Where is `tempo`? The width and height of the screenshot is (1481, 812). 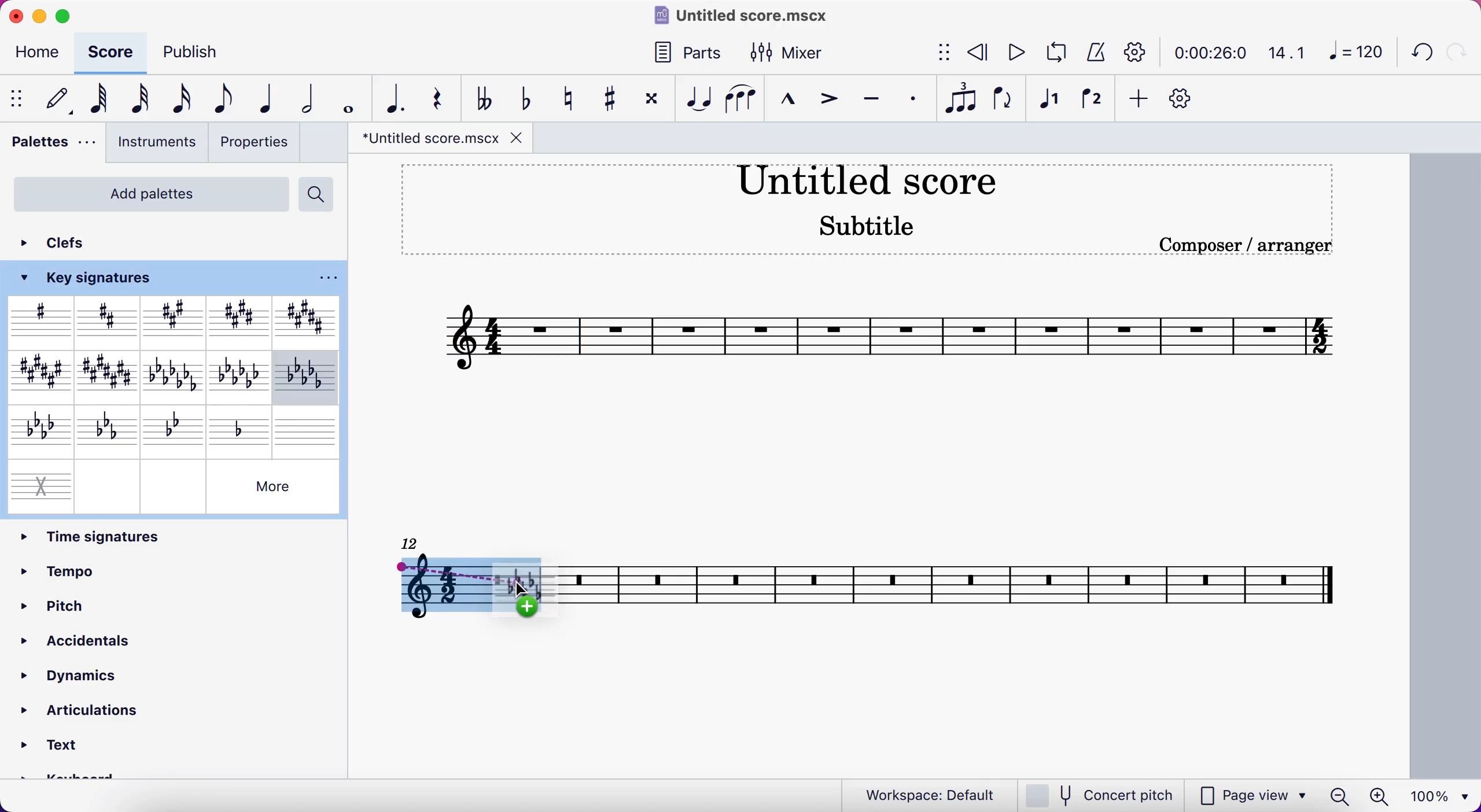
tempo is located at coordinates (108, 570).